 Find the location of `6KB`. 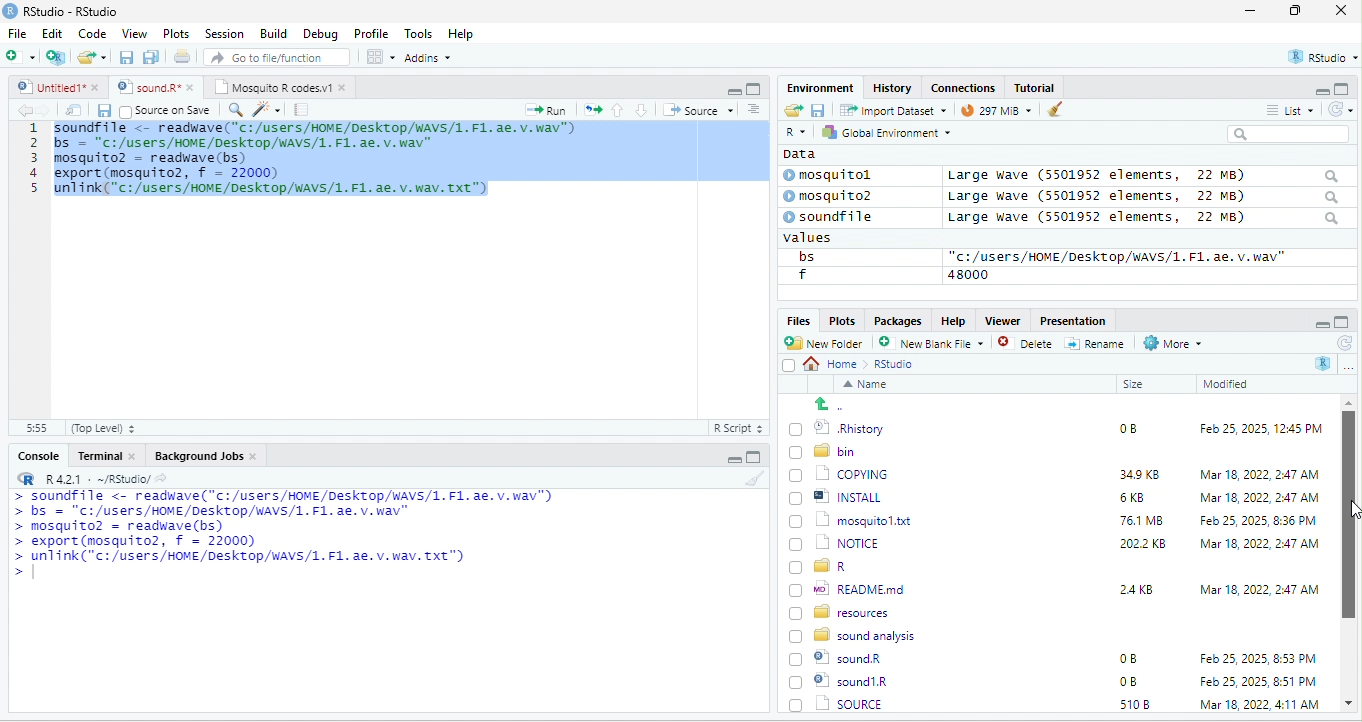

6KB is located at coordinates (1133, 498).